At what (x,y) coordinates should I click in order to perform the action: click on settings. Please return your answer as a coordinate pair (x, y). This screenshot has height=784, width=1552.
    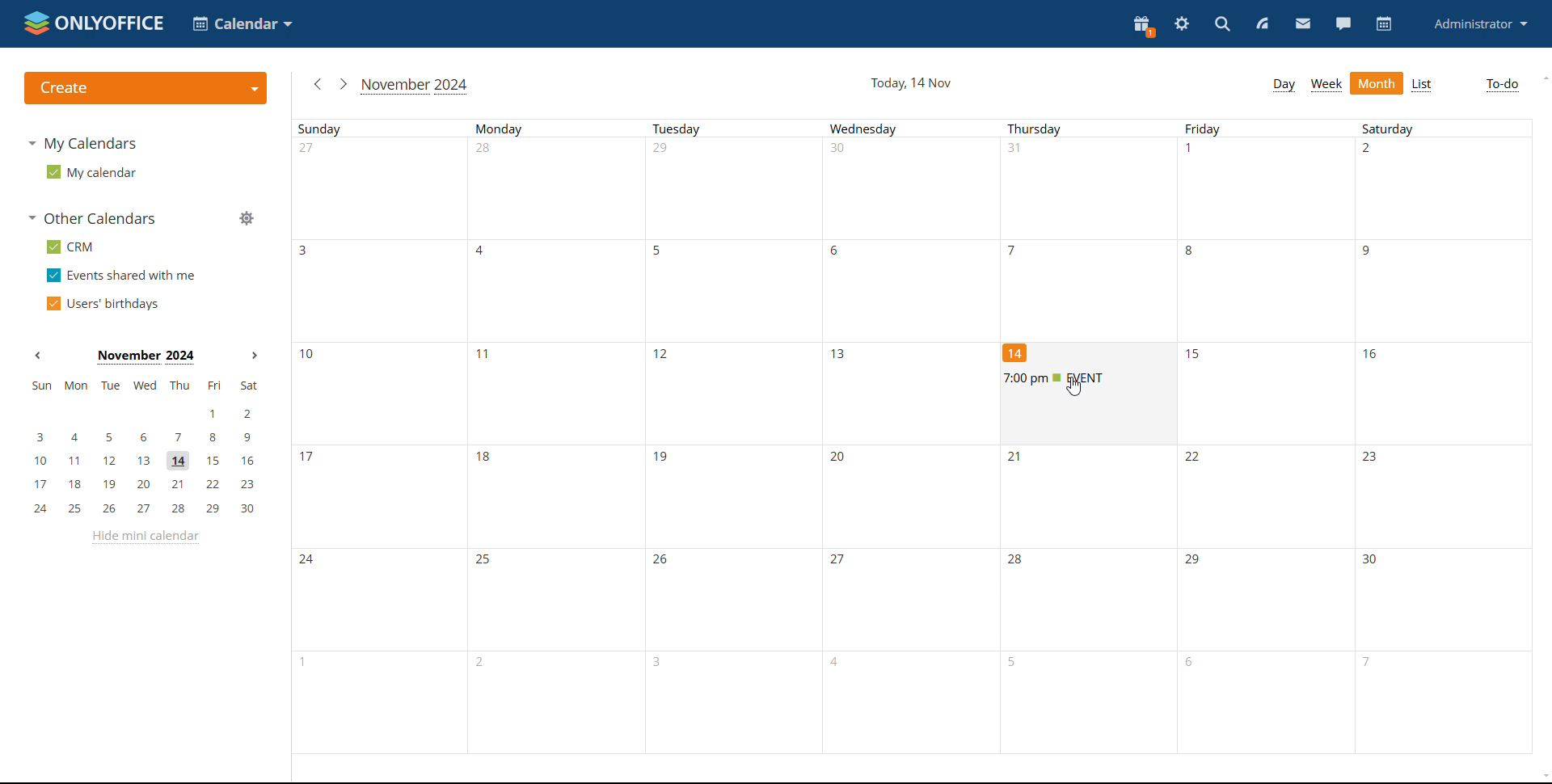
    Looking at the image, I should click on (1181, 24).